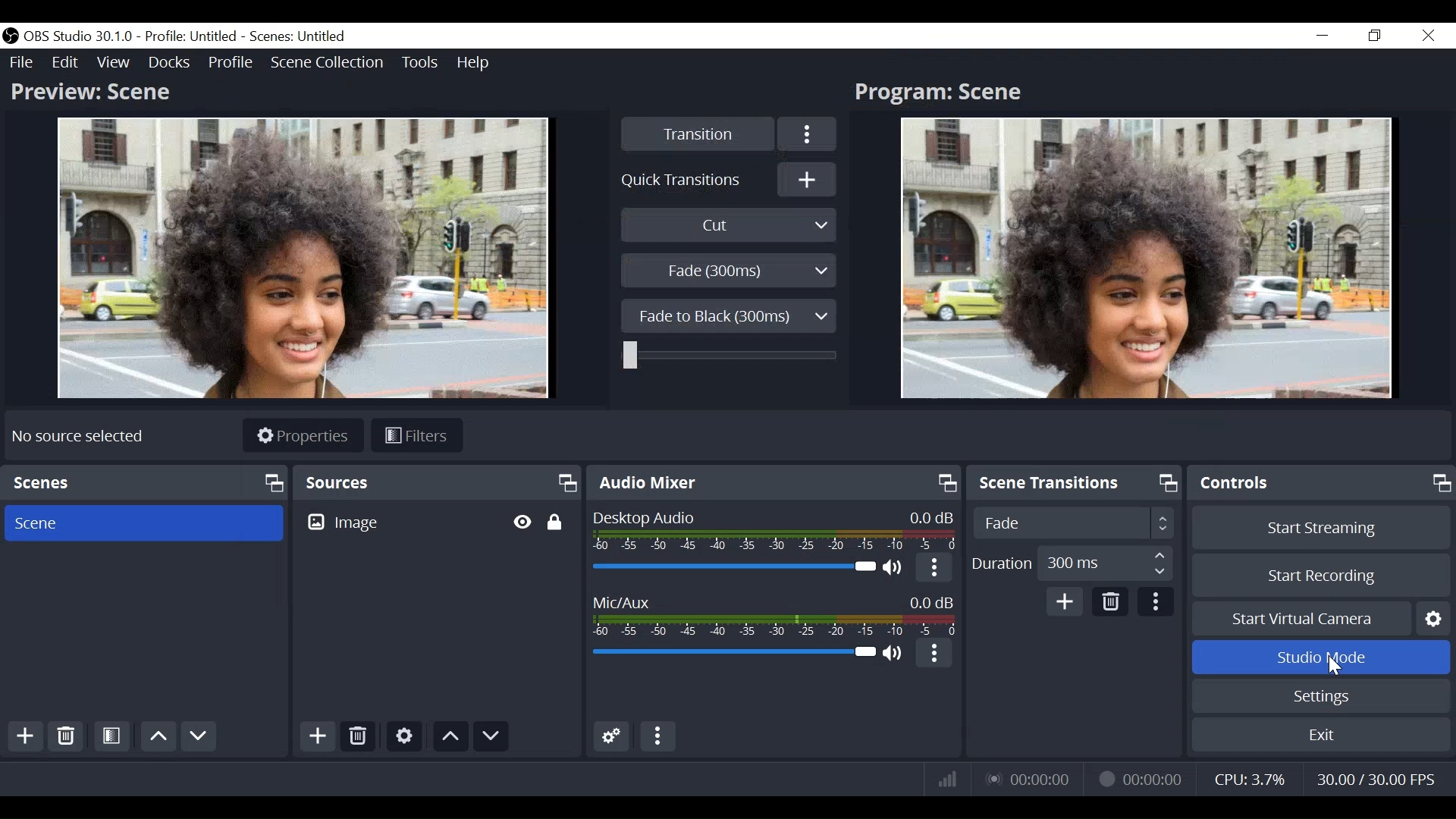 The width and height of the screenshot is (1456, 819). What do you see at coordinates (1318, 575) in the screenshot?
I see `Start Recording` at bounding box center [1318, 575].